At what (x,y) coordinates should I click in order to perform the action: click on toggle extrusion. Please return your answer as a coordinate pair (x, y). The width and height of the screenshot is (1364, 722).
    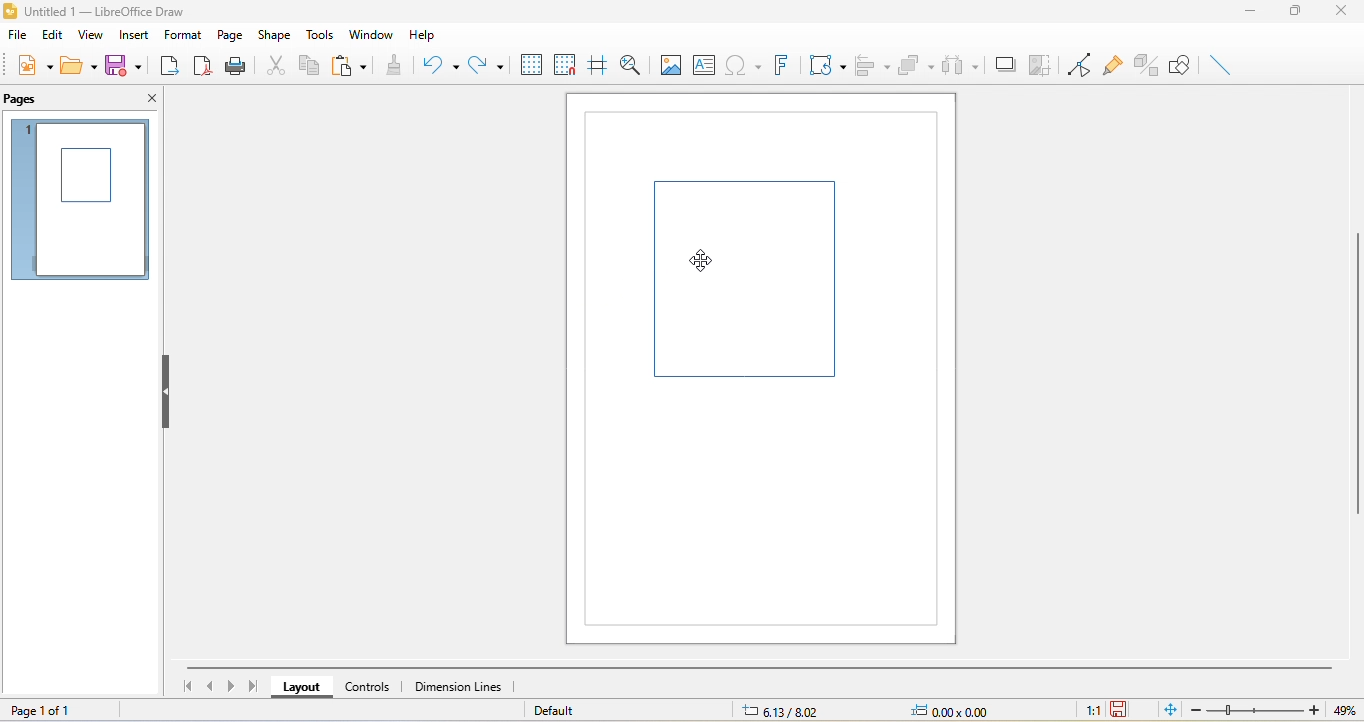
    Looking at the image, I should click on (1146, 65).